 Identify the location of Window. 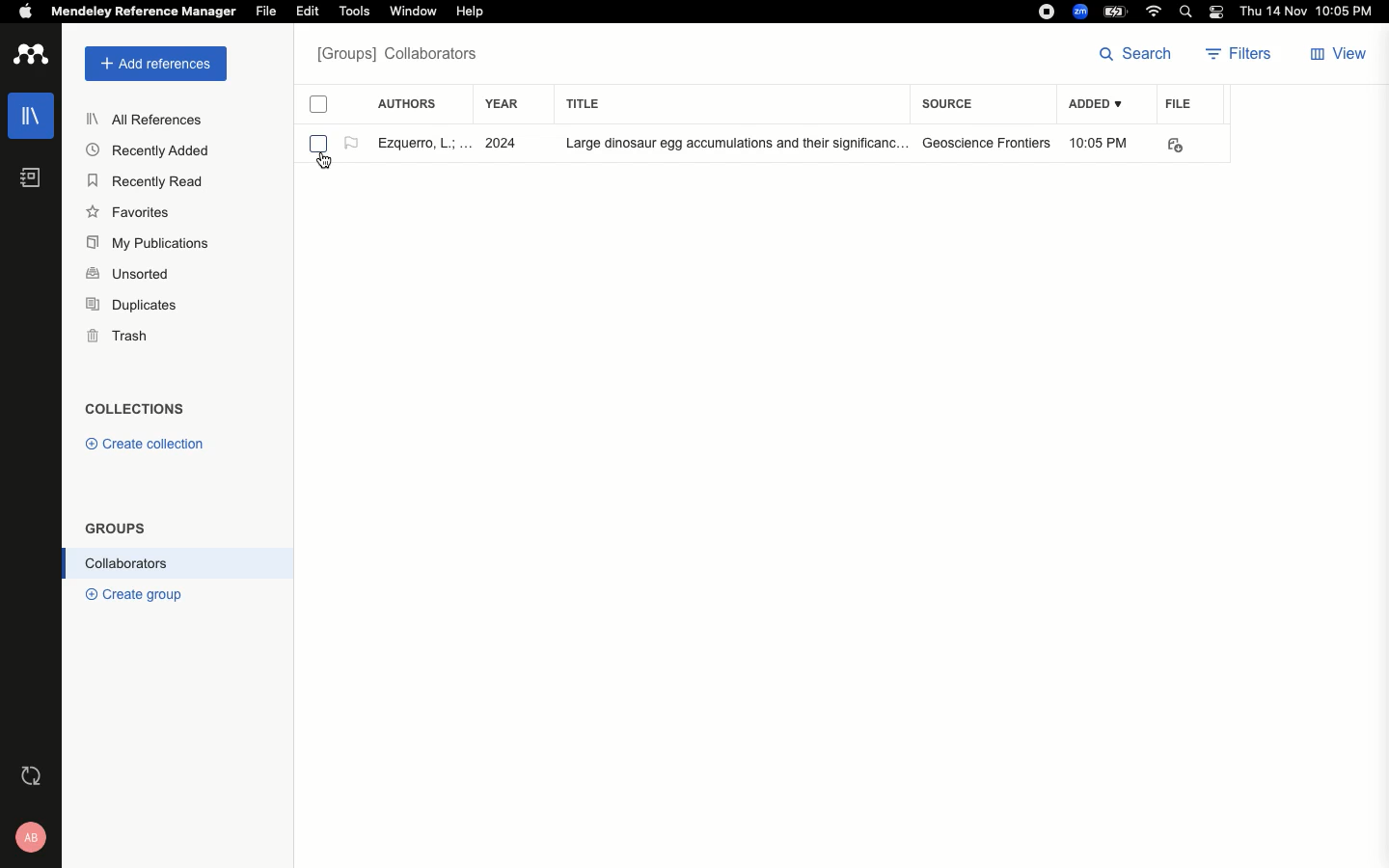
(412, 12).